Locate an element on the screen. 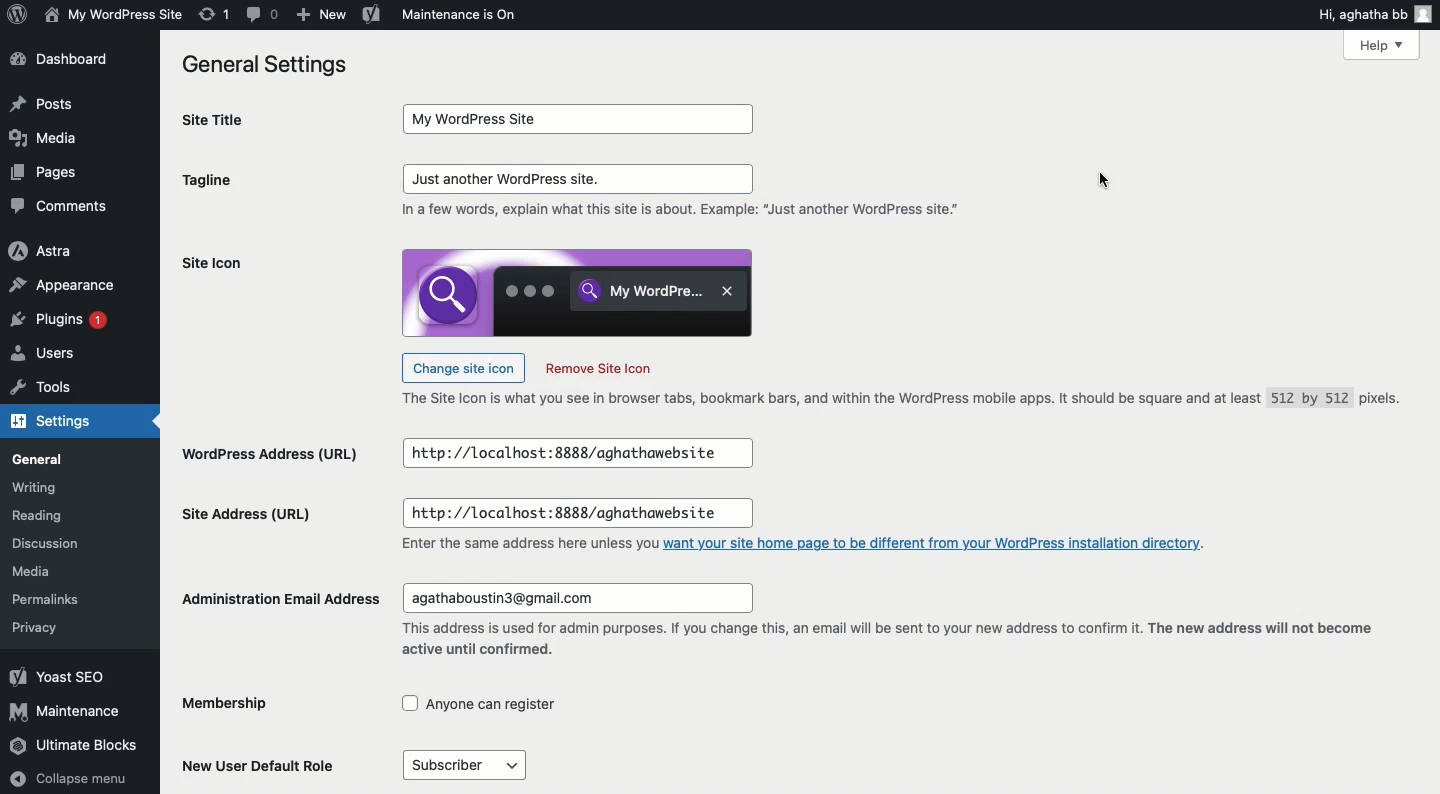 The height and width of the screenshot is (794, 1440). Collapse menu is located at coordinates (71, 779).